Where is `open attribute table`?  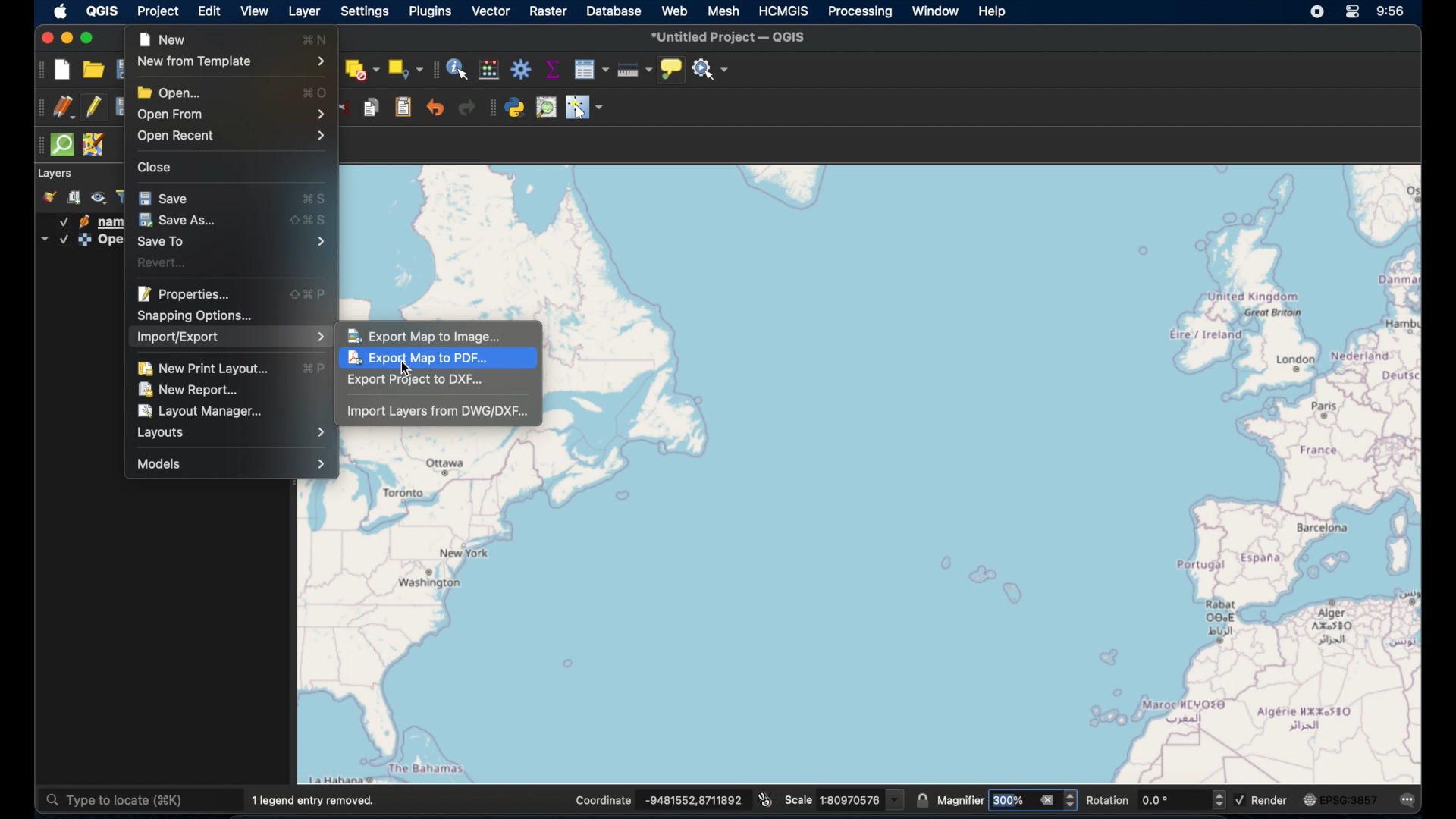 open attribute table is located at coordinates (591, 70).